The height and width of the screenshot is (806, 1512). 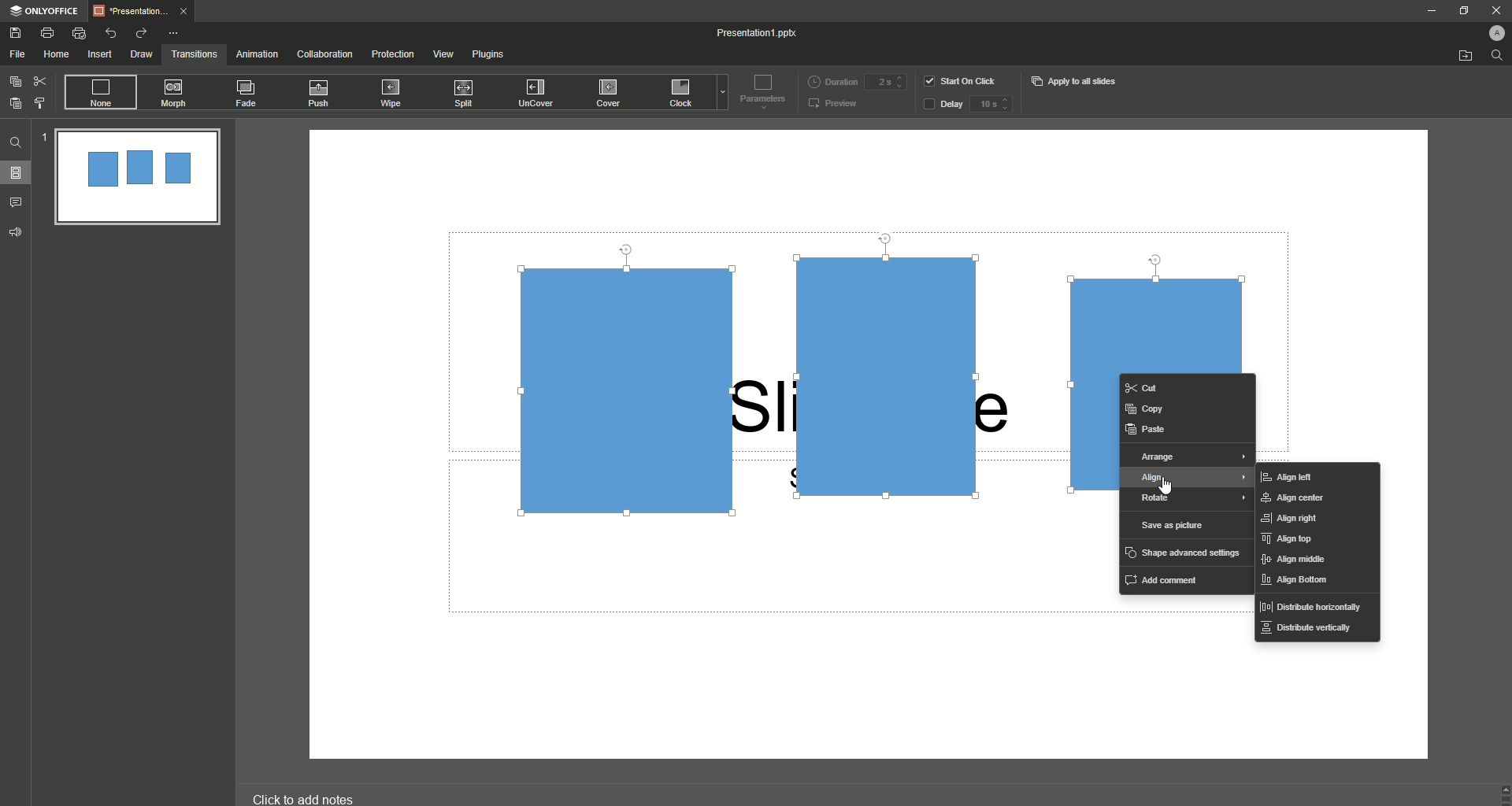 I want to click on Align top, so click(x=1290, y=540).